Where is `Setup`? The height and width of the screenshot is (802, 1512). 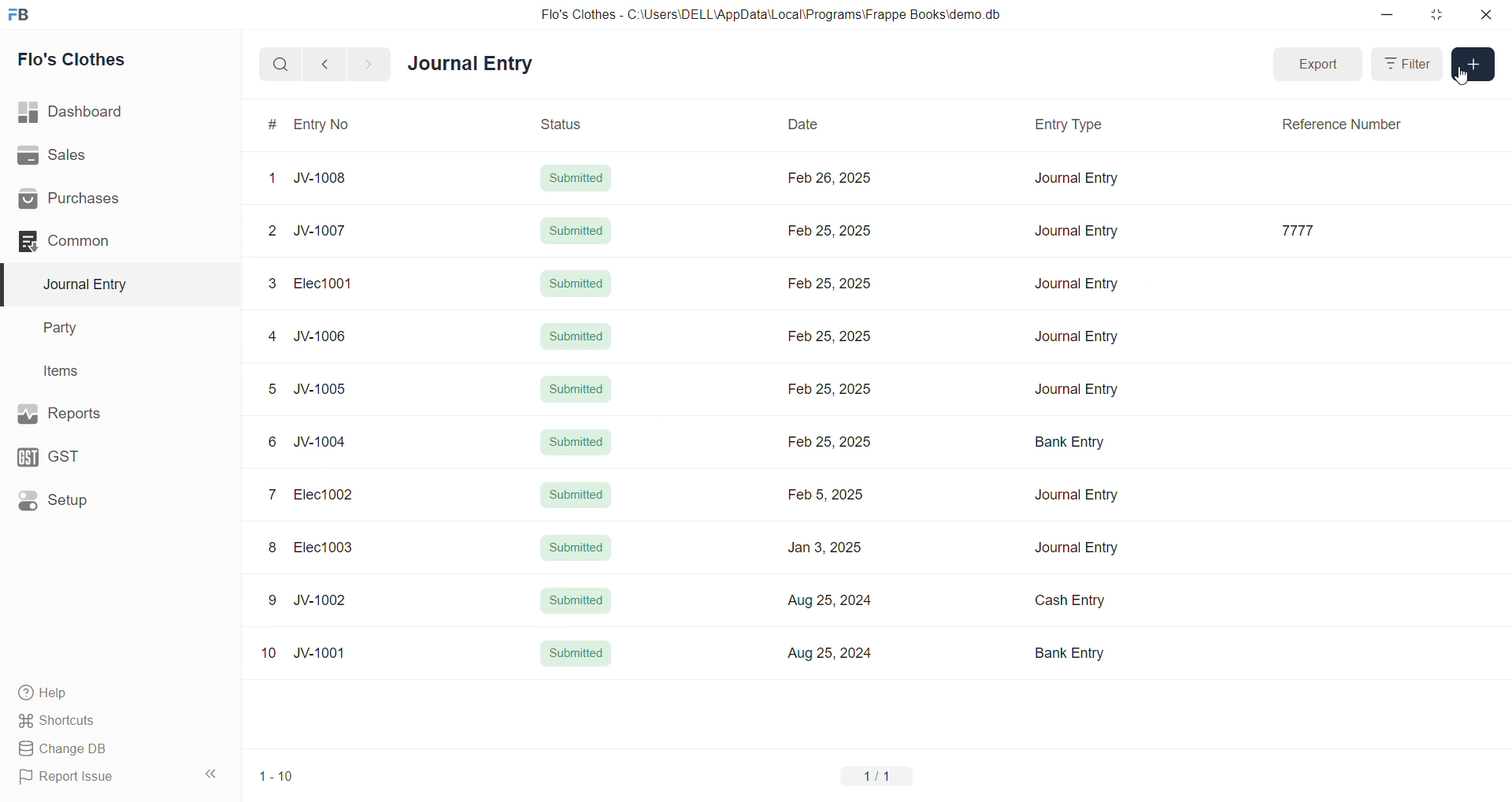 Setup is located at coordinates (91, 503).